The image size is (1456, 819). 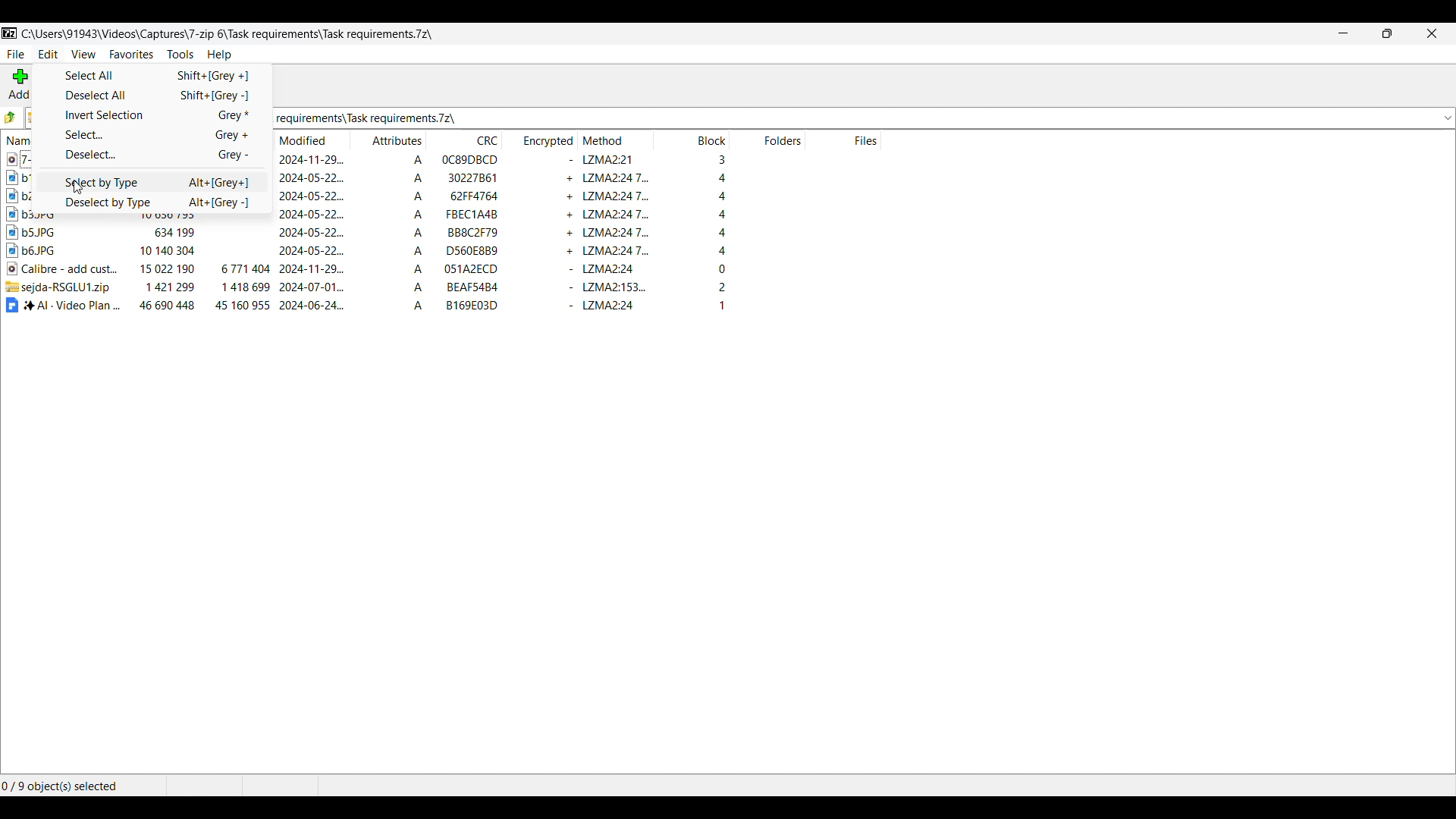 I want to click on Invert selection, so click(x=152, y=115).